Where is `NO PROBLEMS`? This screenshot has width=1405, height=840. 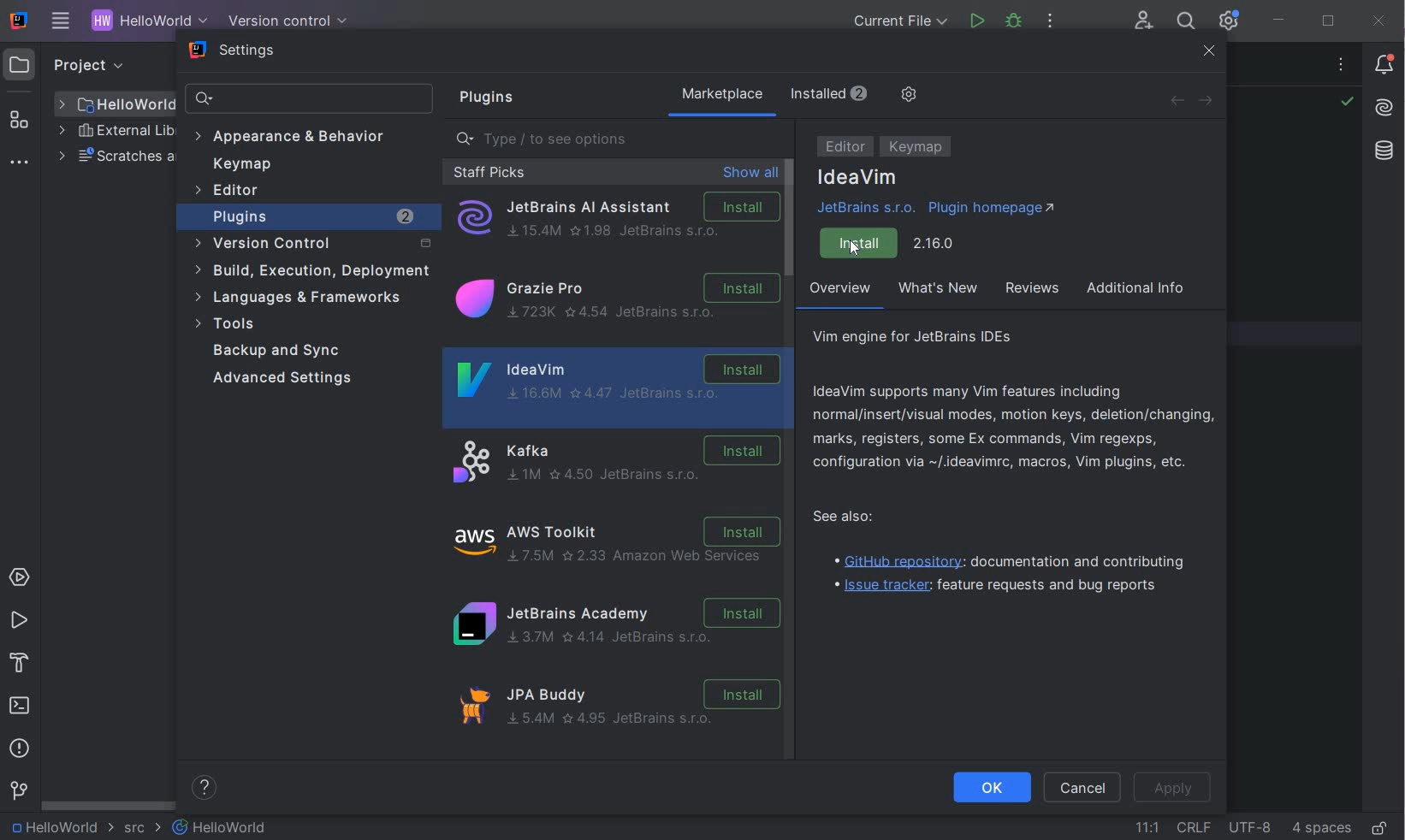 NO PROBLEMS is located at coordinates (1346, 104).